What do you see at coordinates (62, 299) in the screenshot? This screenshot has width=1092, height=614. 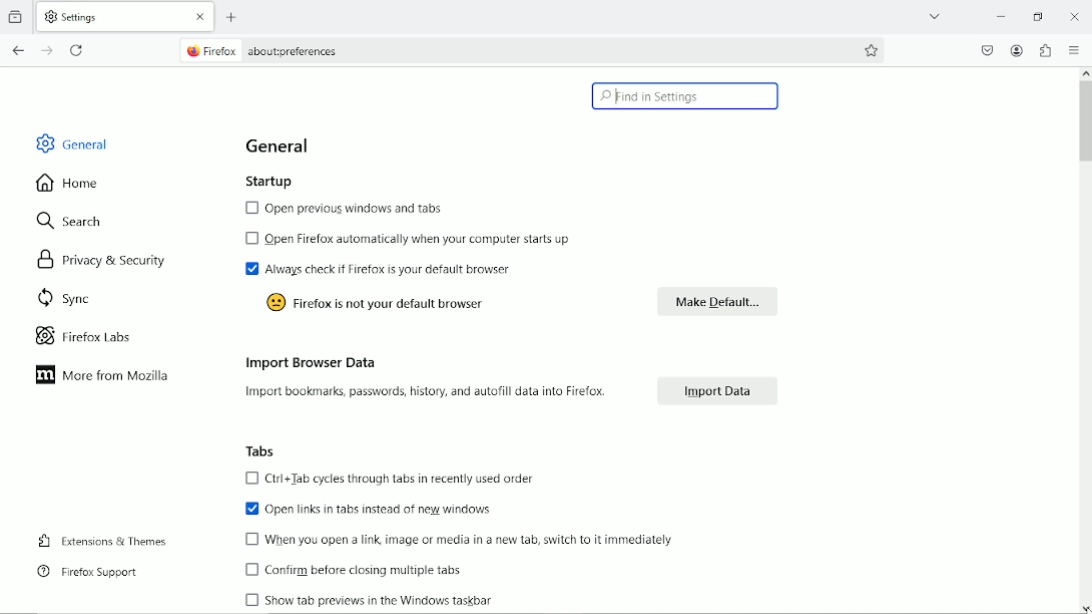 I see `Sync` at bounding box center [62, 299].